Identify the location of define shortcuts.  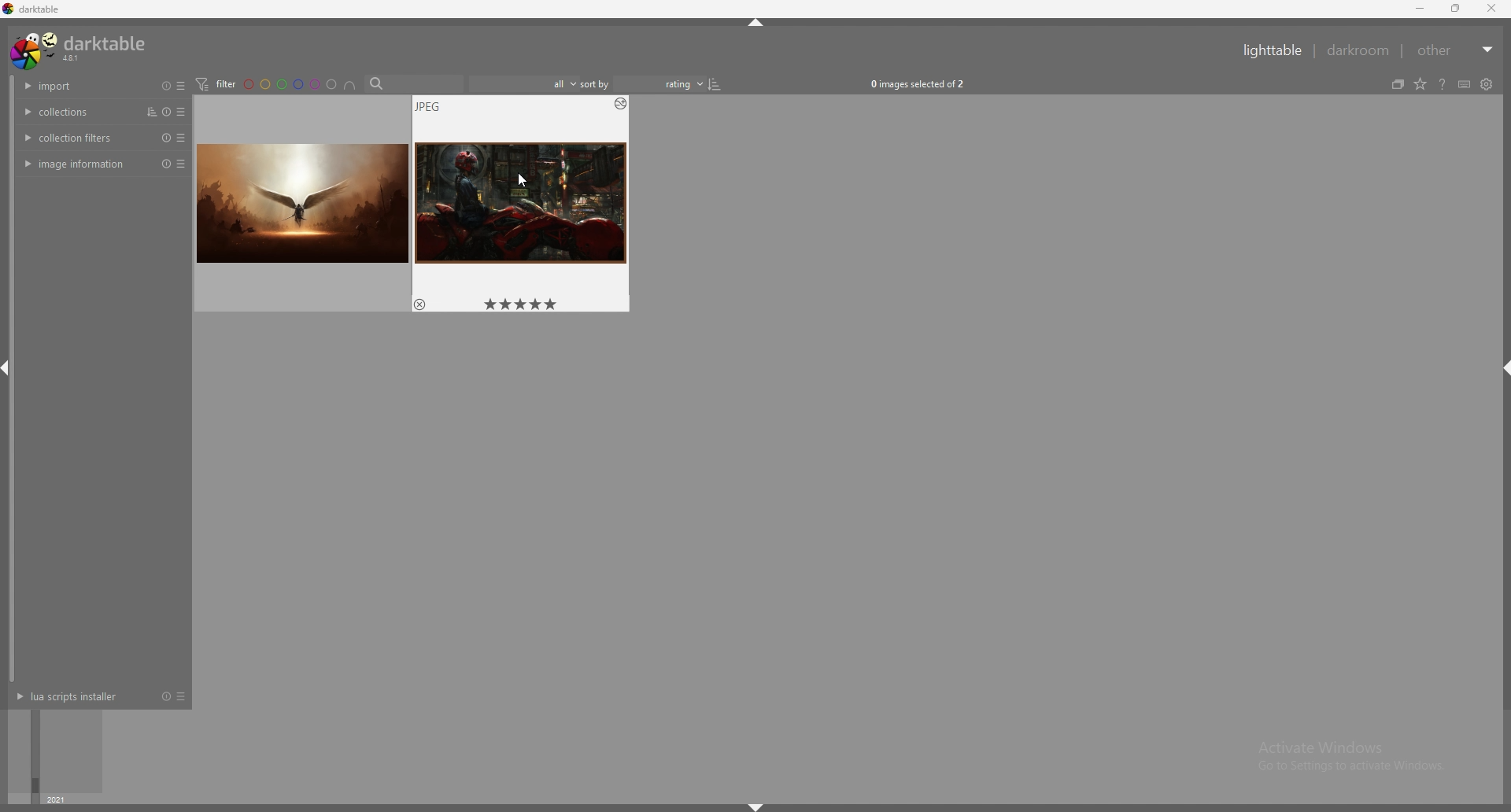
(1465, 84).